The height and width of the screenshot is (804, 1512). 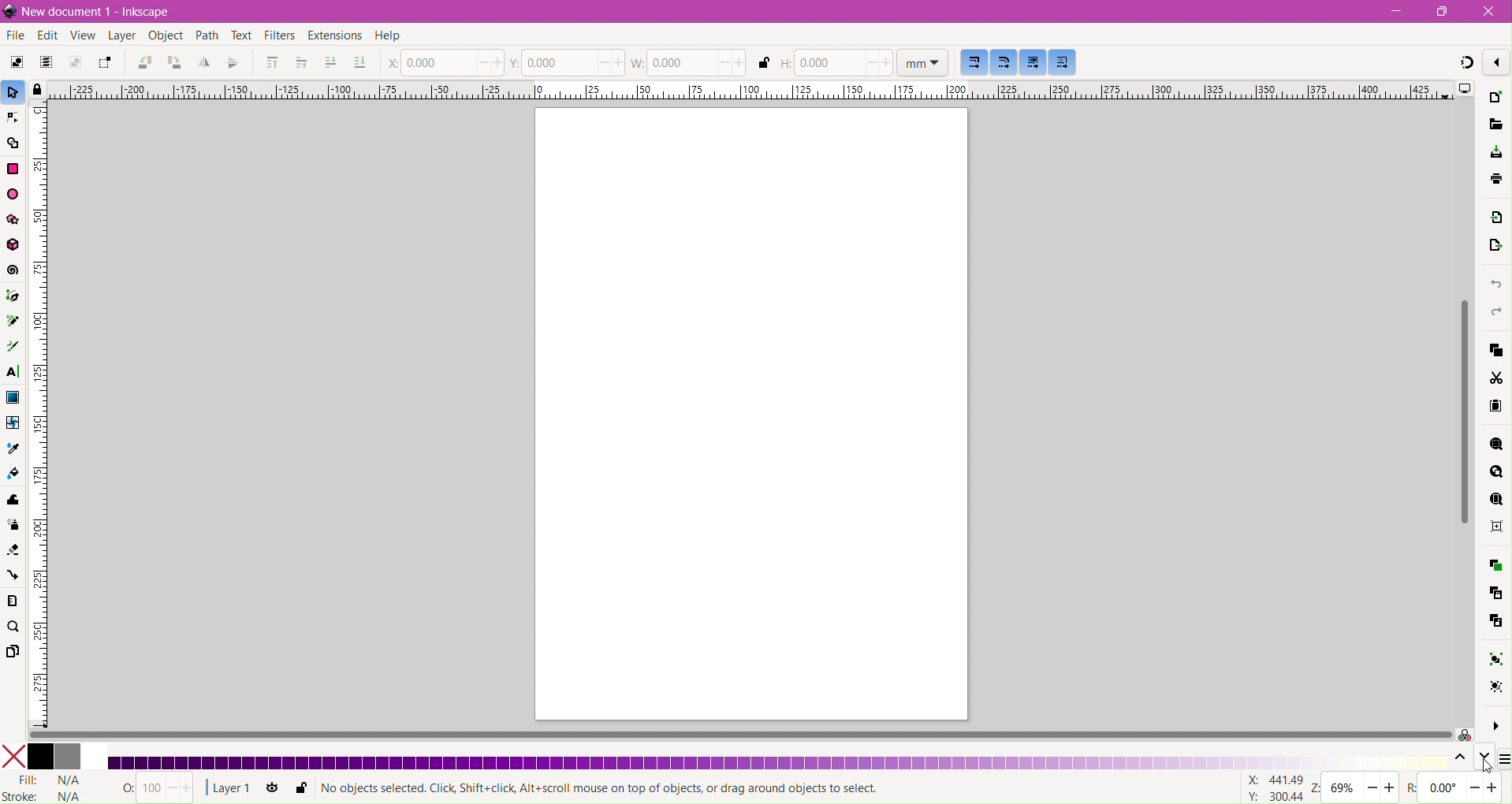 I want to click on Rectangle Tool, so click(x=13, y=170).